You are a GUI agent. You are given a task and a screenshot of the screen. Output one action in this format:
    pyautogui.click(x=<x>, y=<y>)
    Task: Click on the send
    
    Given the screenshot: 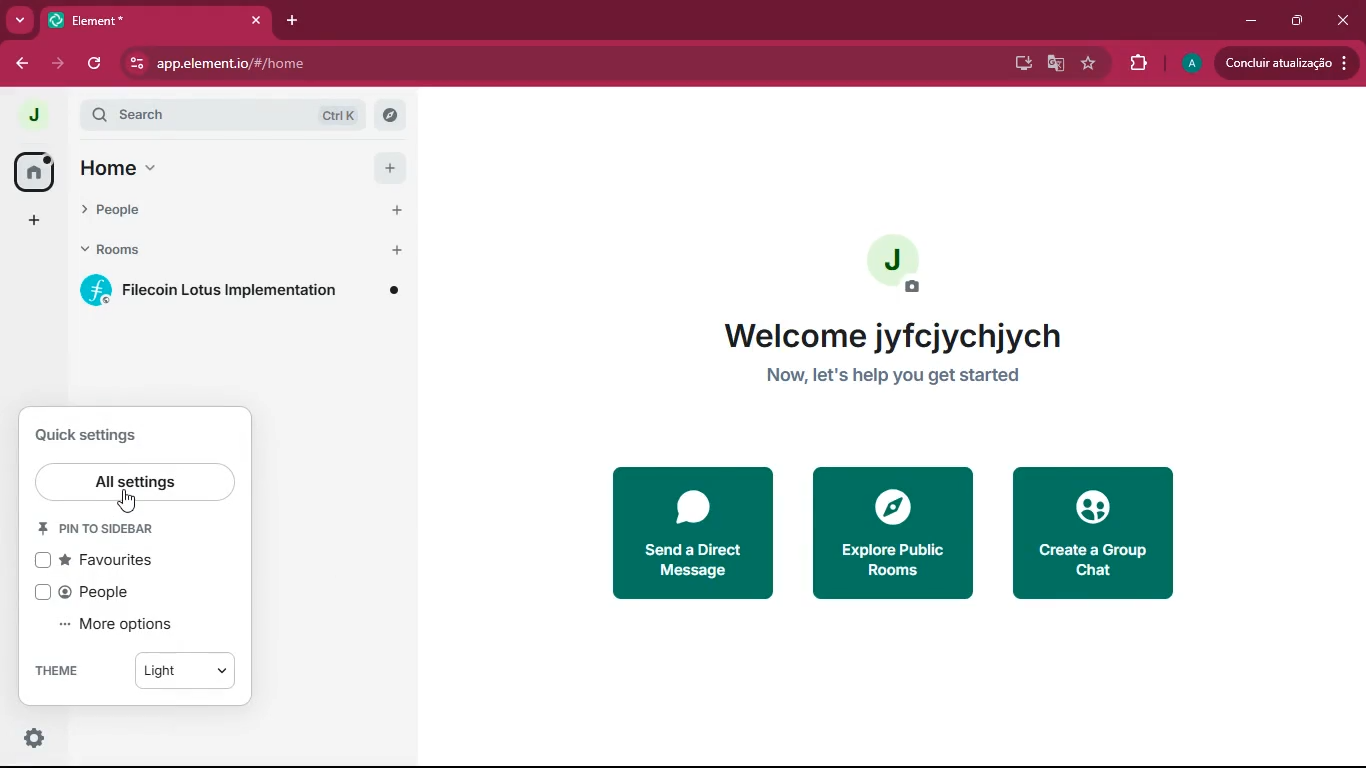 What is the action you would take?
    pyautogui.click(x=689, y=530)
    